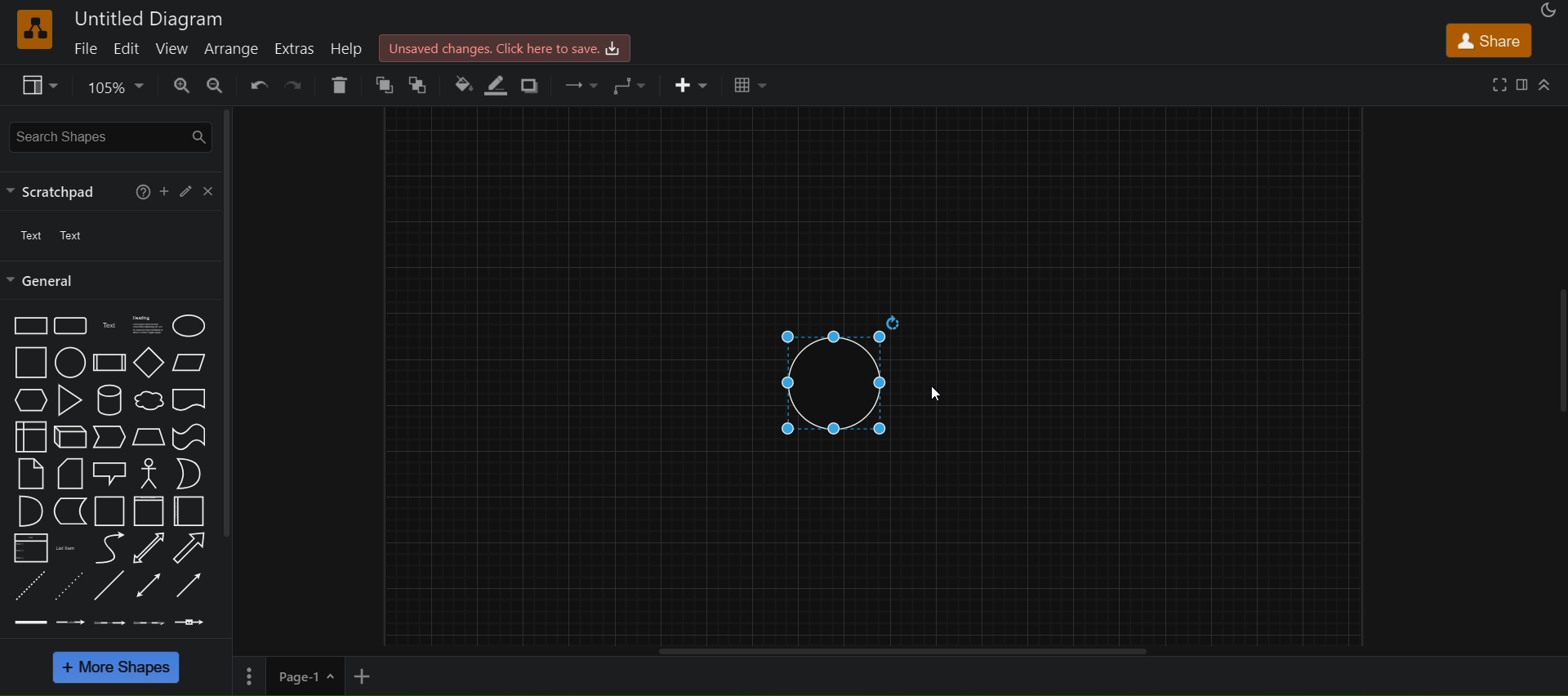 Image resolution: width=1568 pixels, height=696 pixels. I want to click on shadows, so click(531, 87).